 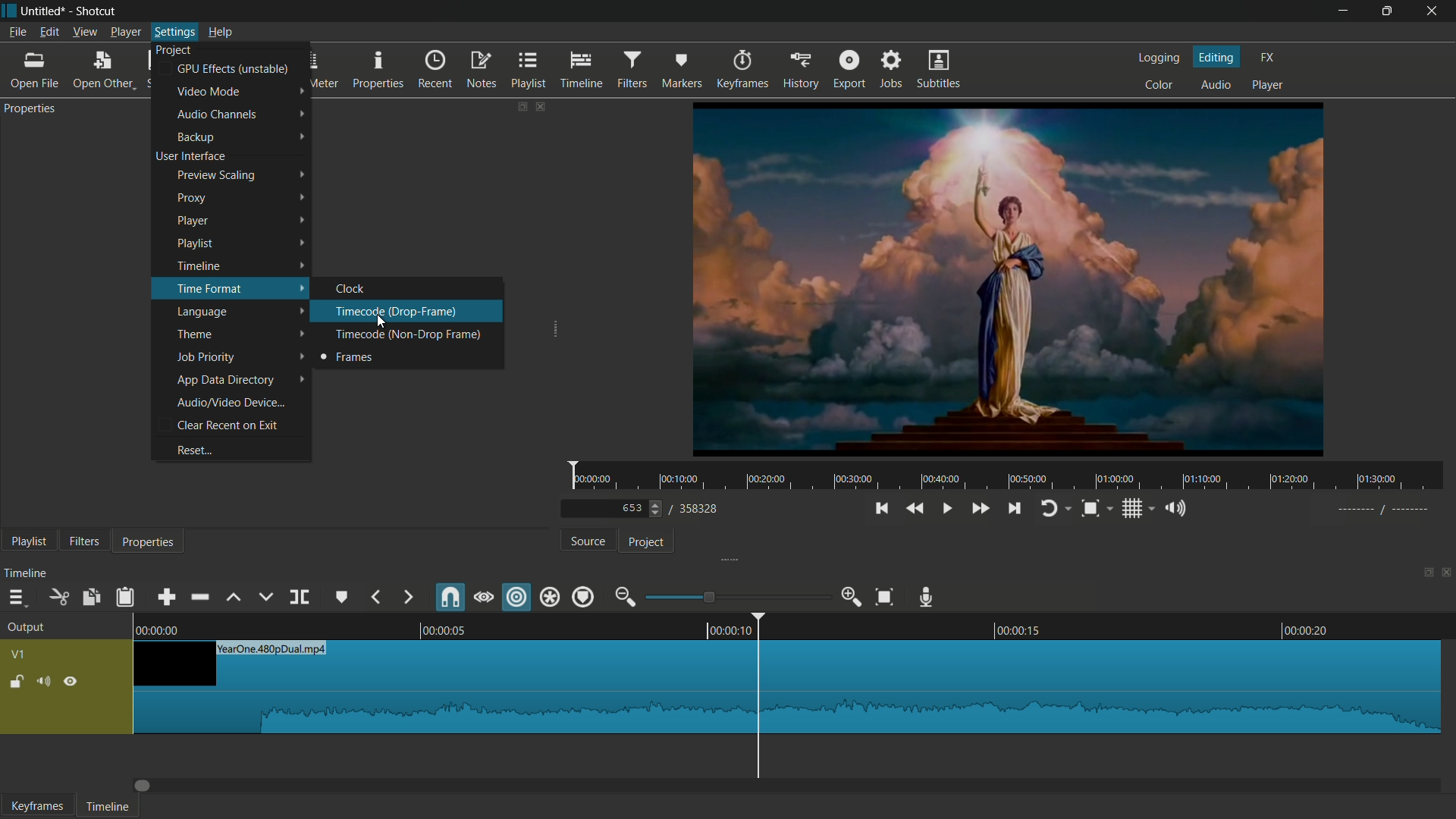 I want to click on timeline menu, so click(x=16, y=595).